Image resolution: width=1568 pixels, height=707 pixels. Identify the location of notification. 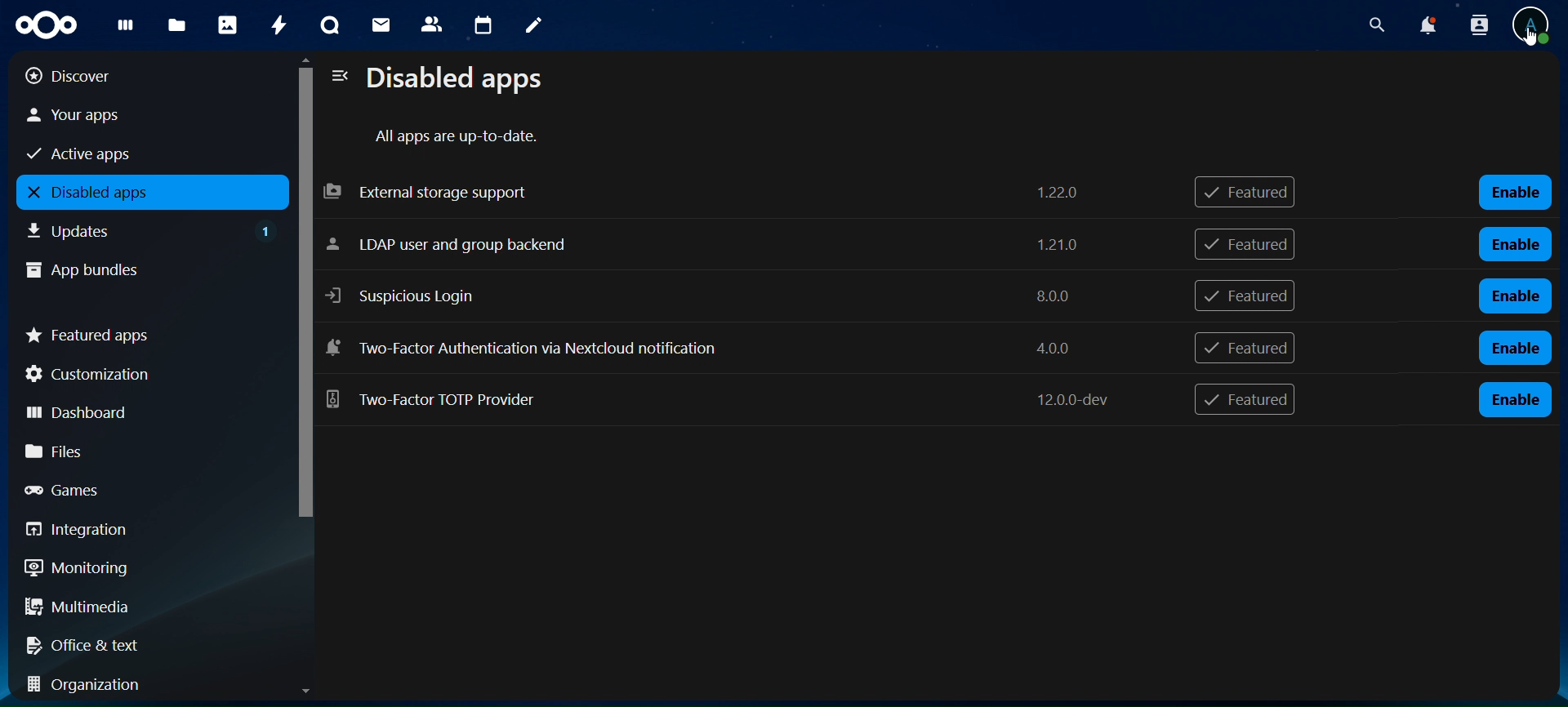
(1427, 26).